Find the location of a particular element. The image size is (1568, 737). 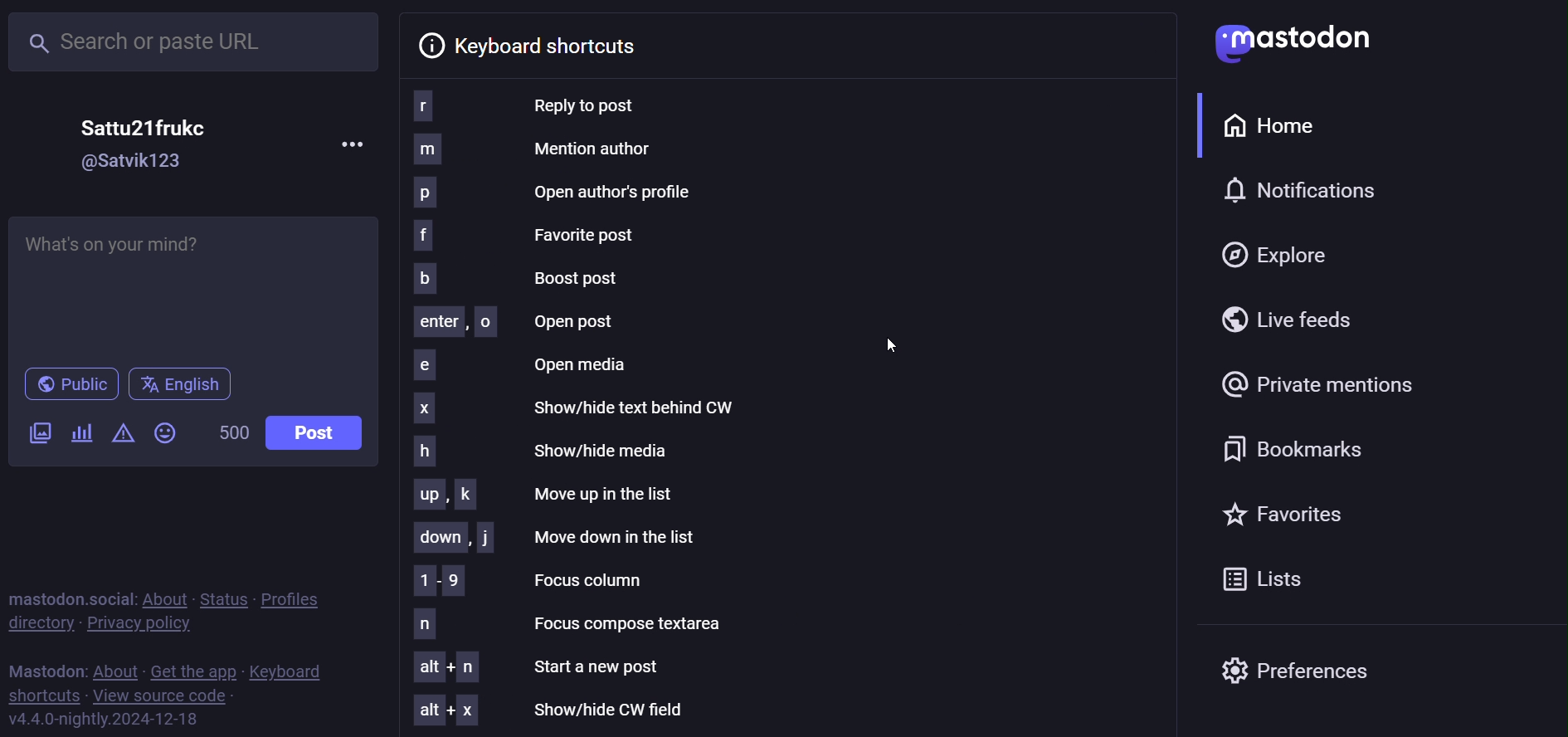

private mentions is located at coordinates (1369, 383).